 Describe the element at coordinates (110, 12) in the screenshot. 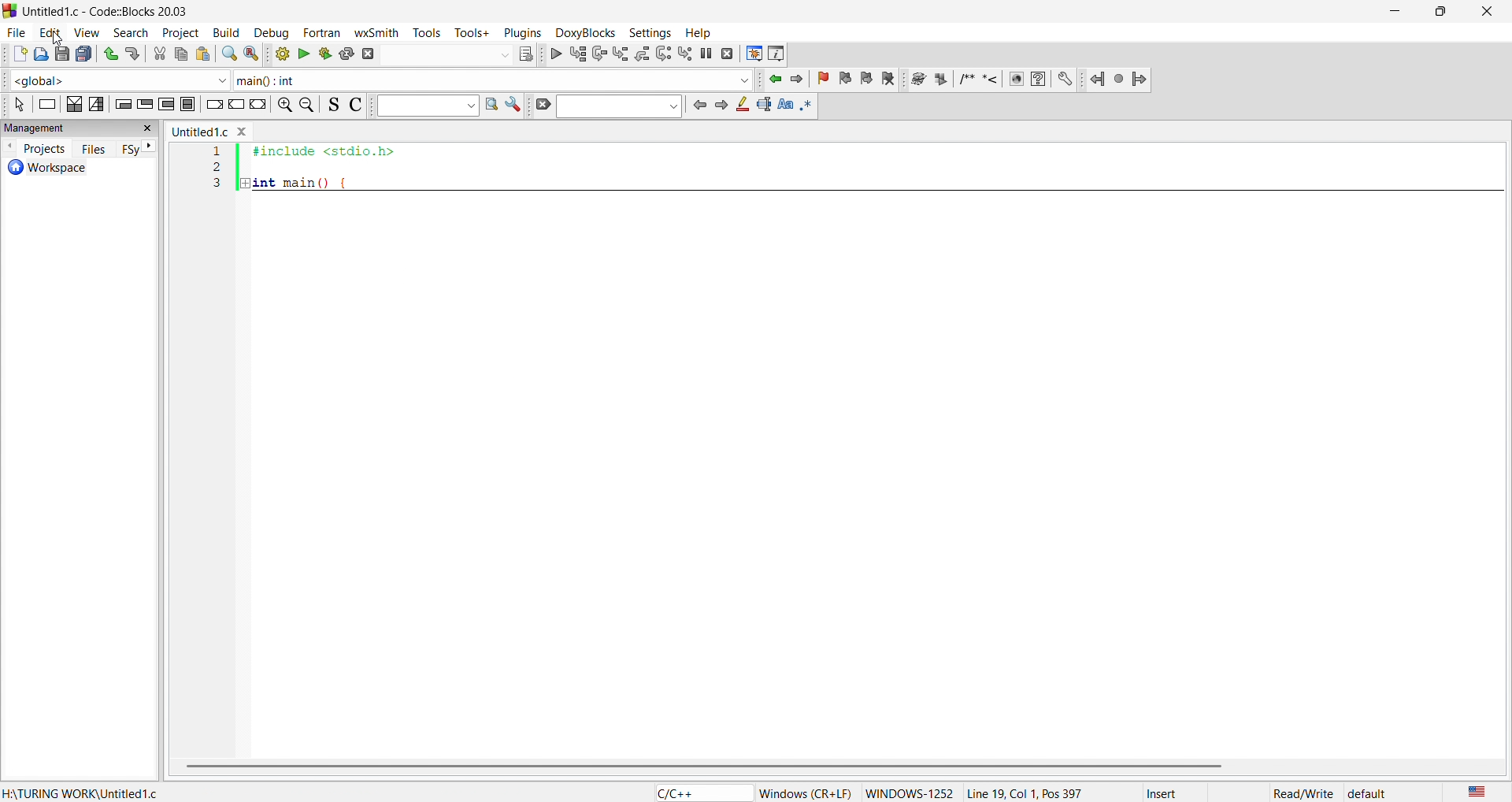

I see `title bar` at that location.